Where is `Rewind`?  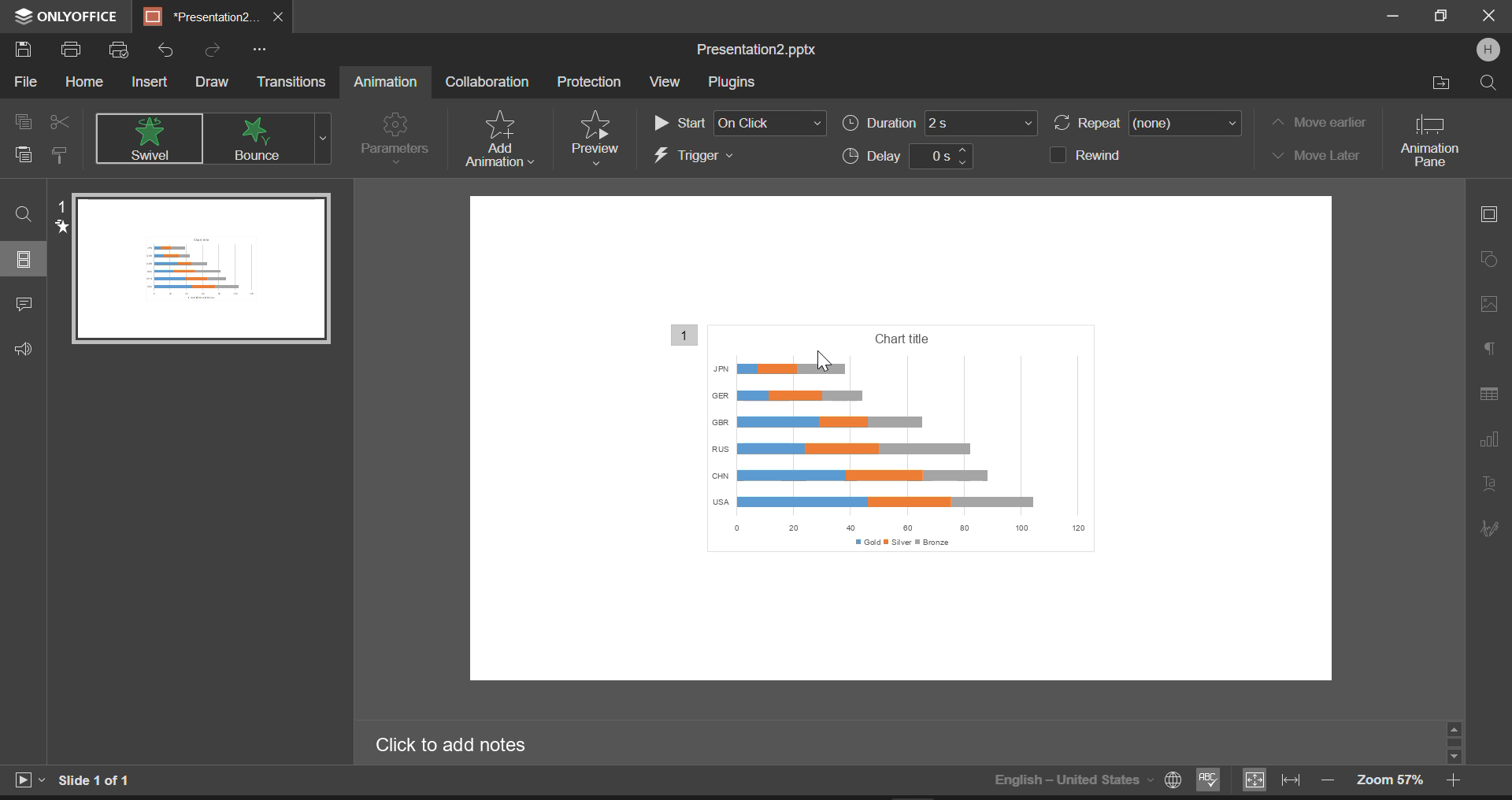
Rewind is located at coordinates (1098, 154).